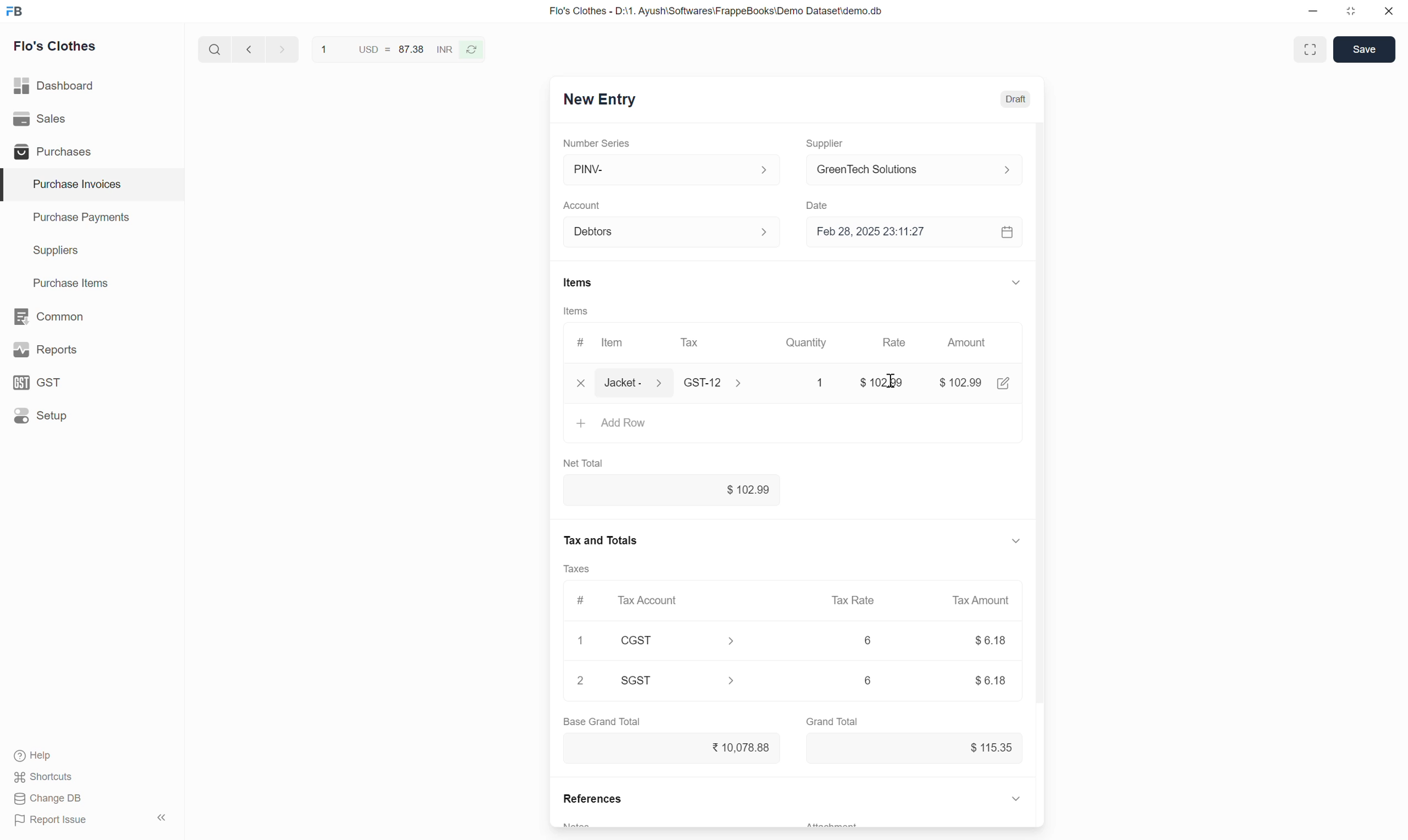 The width and height of the screenshot is (1408, 840). What do you see at coordinates (91, 119) in the screenshot?
I see `Sales` at bounding box center [91, 119].